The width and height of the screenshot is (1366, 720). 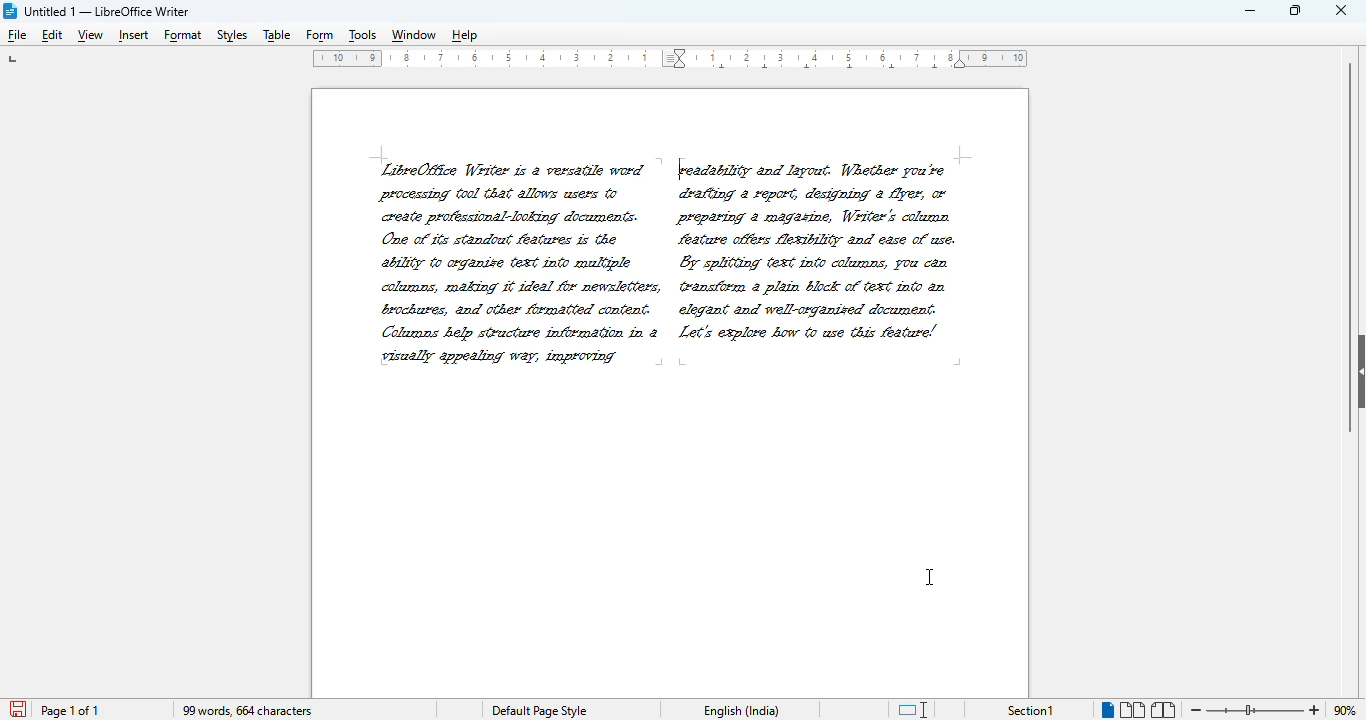 I want to click on zoom in, so click(x=1316, y=709).